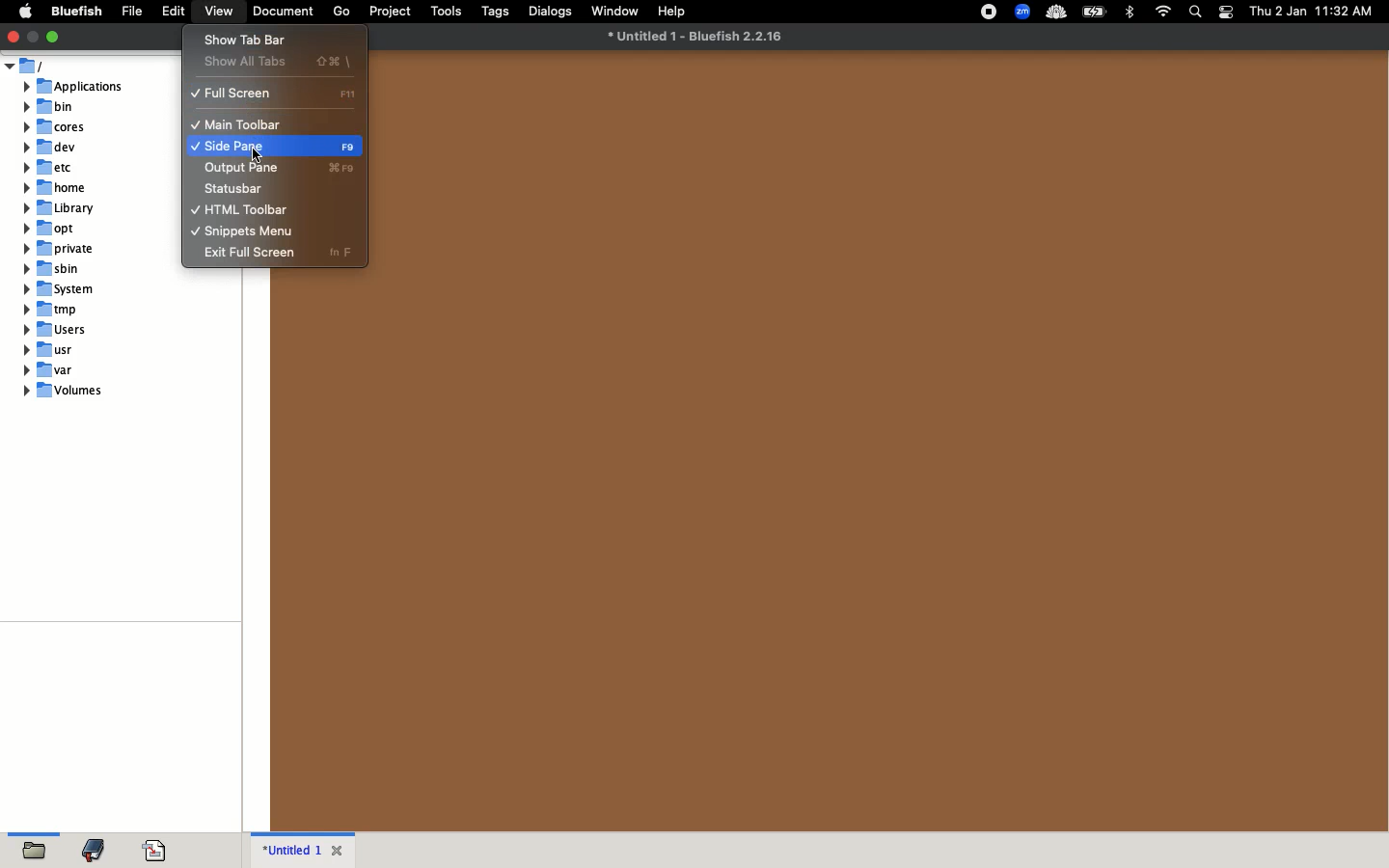  What do you see at coordinates (54, 330) in the screenshot?
I see `users` at bounding box center [54, 330].